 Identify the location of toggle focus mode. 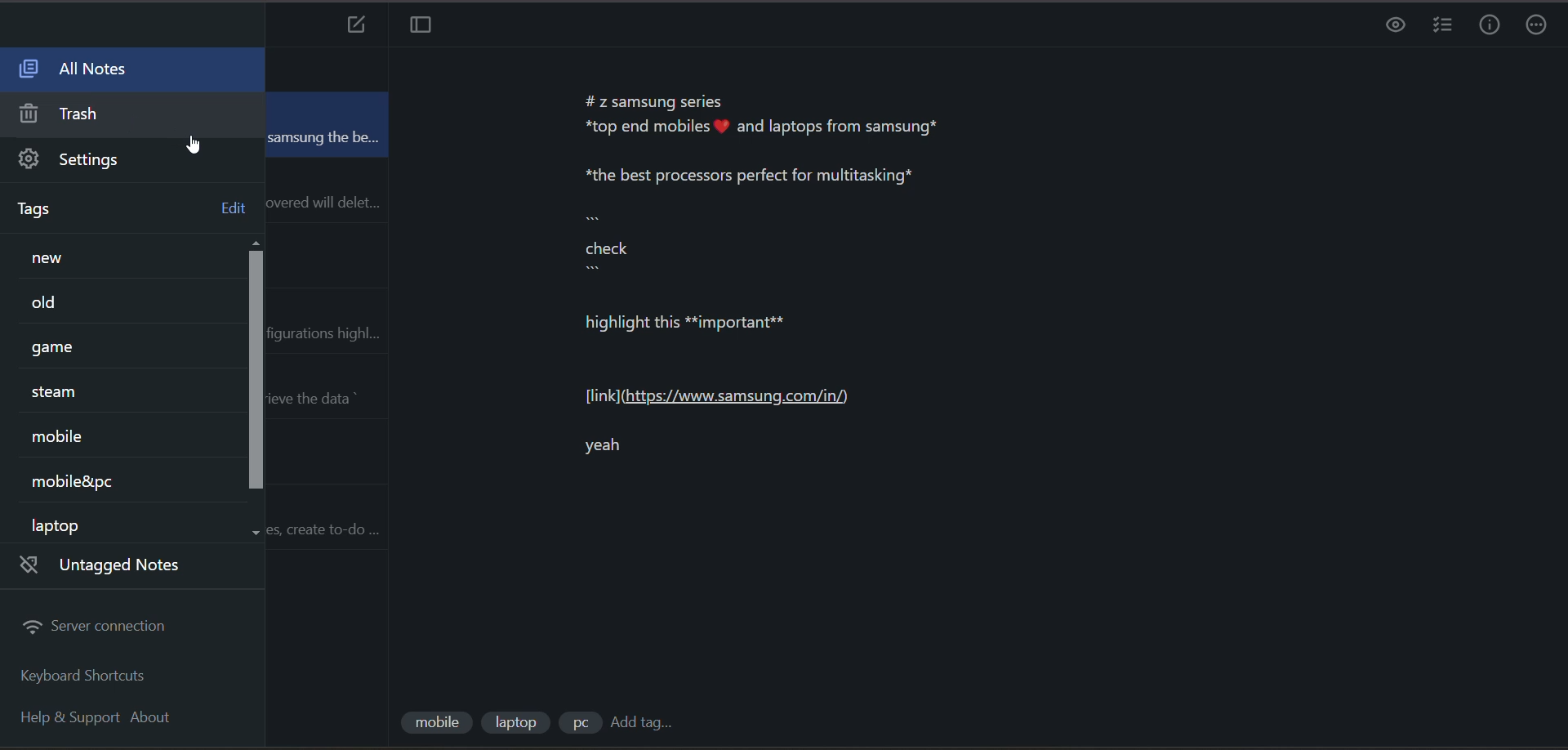
(421, 27).